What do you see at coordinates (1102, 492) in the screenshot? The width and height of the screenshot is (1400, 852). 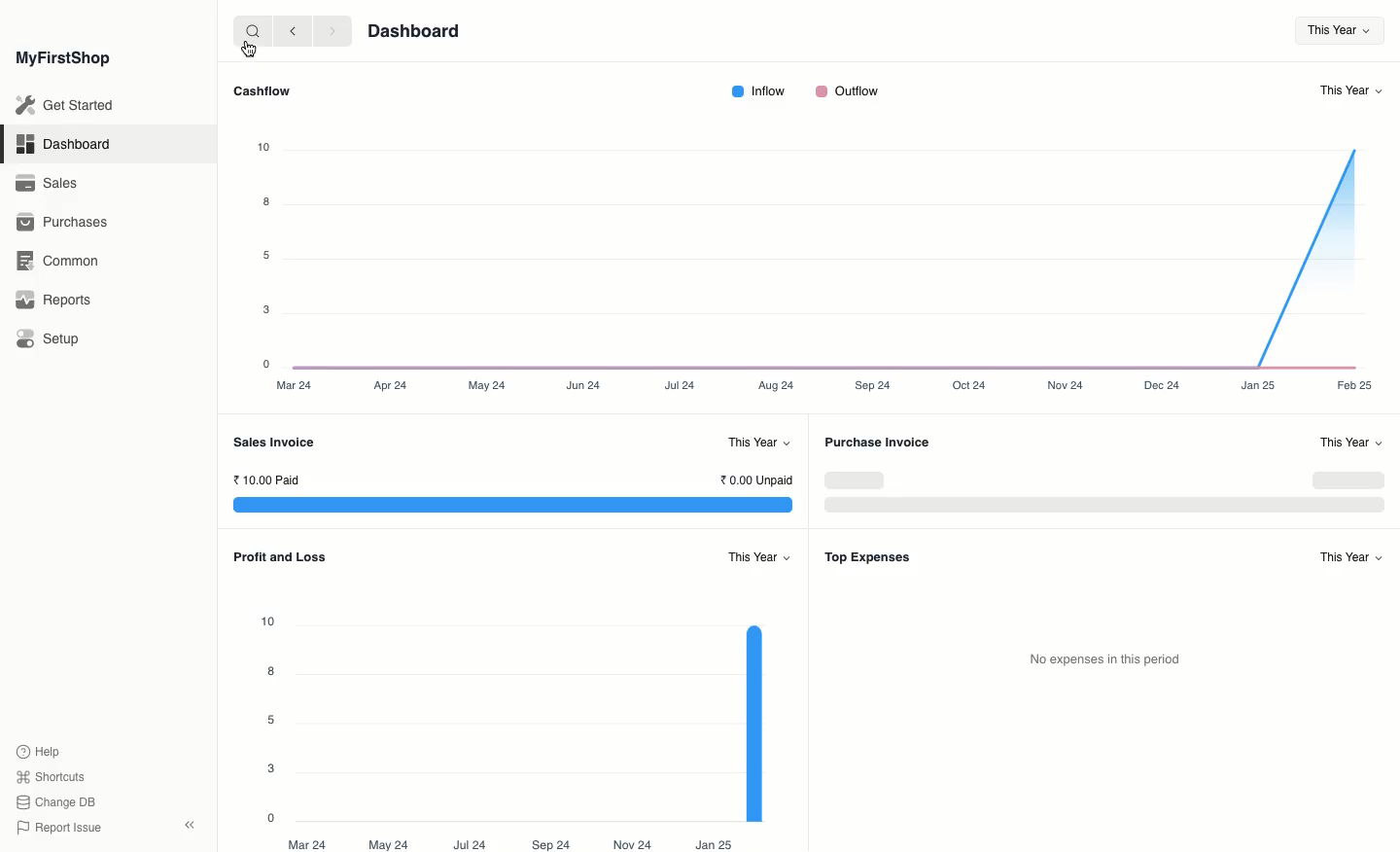 I see `Graph` at bounding box center [1102, 492].